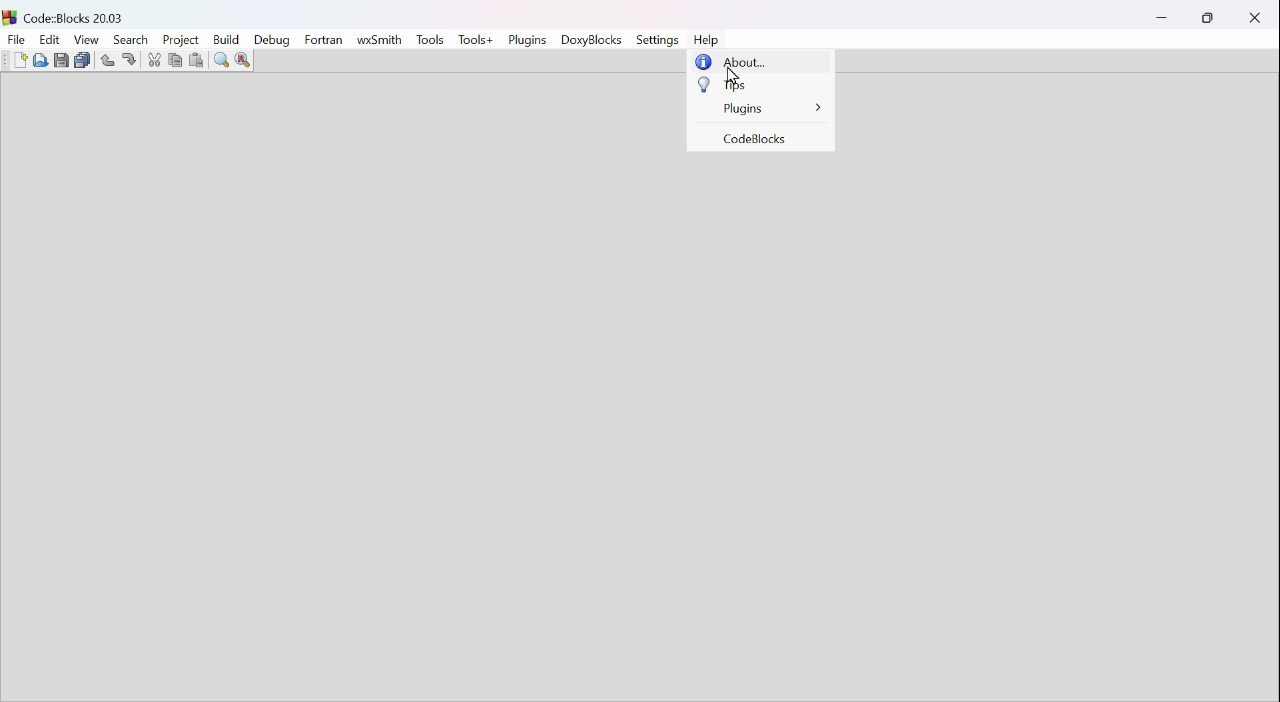  What do you see at coordinates (197, 60) in the screenshot?
I see `Paste` at bounding box center [197, 60].